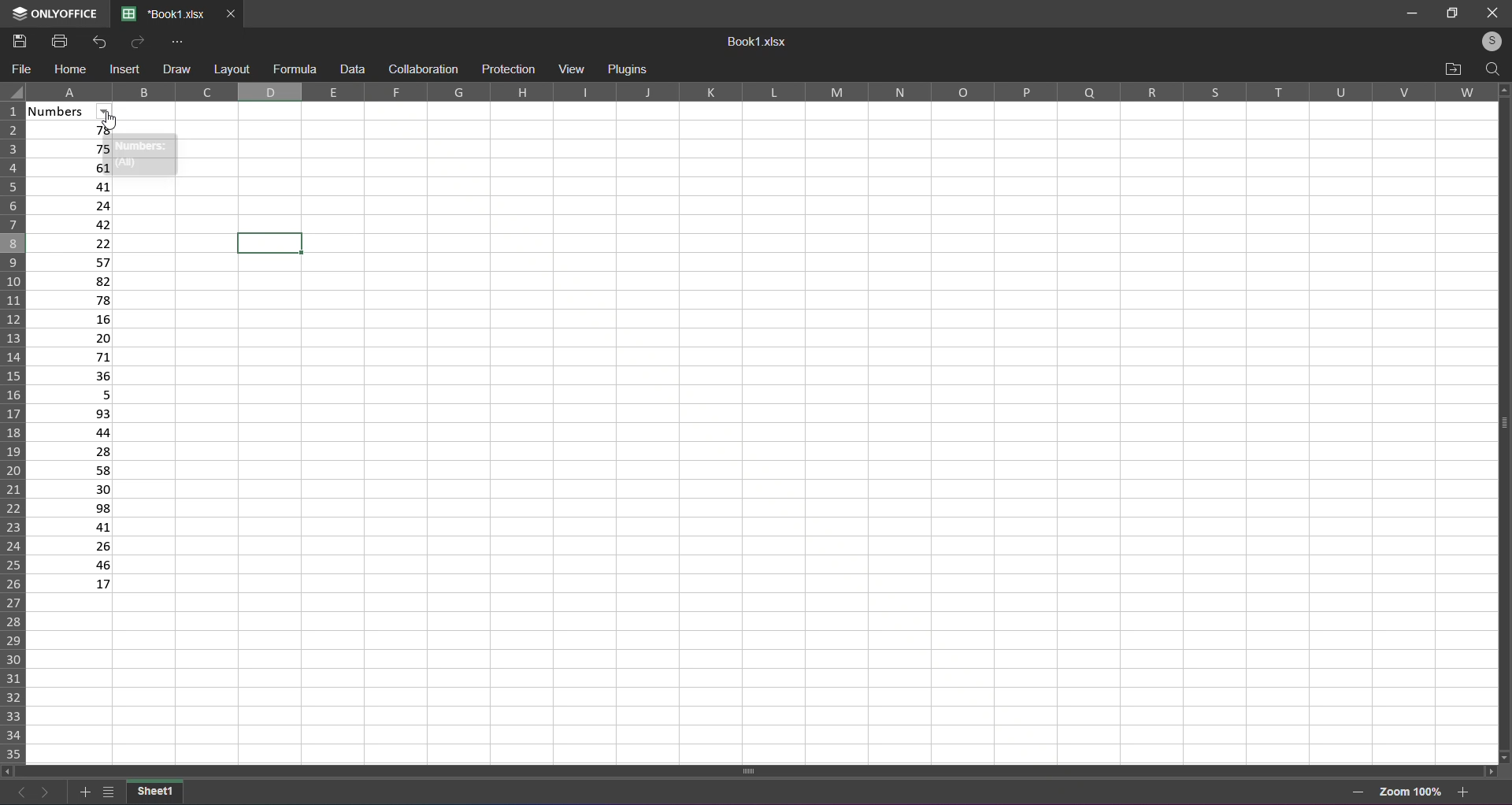 The image size is (1512, 805). I want to click on Move right, so click(1488, 770).